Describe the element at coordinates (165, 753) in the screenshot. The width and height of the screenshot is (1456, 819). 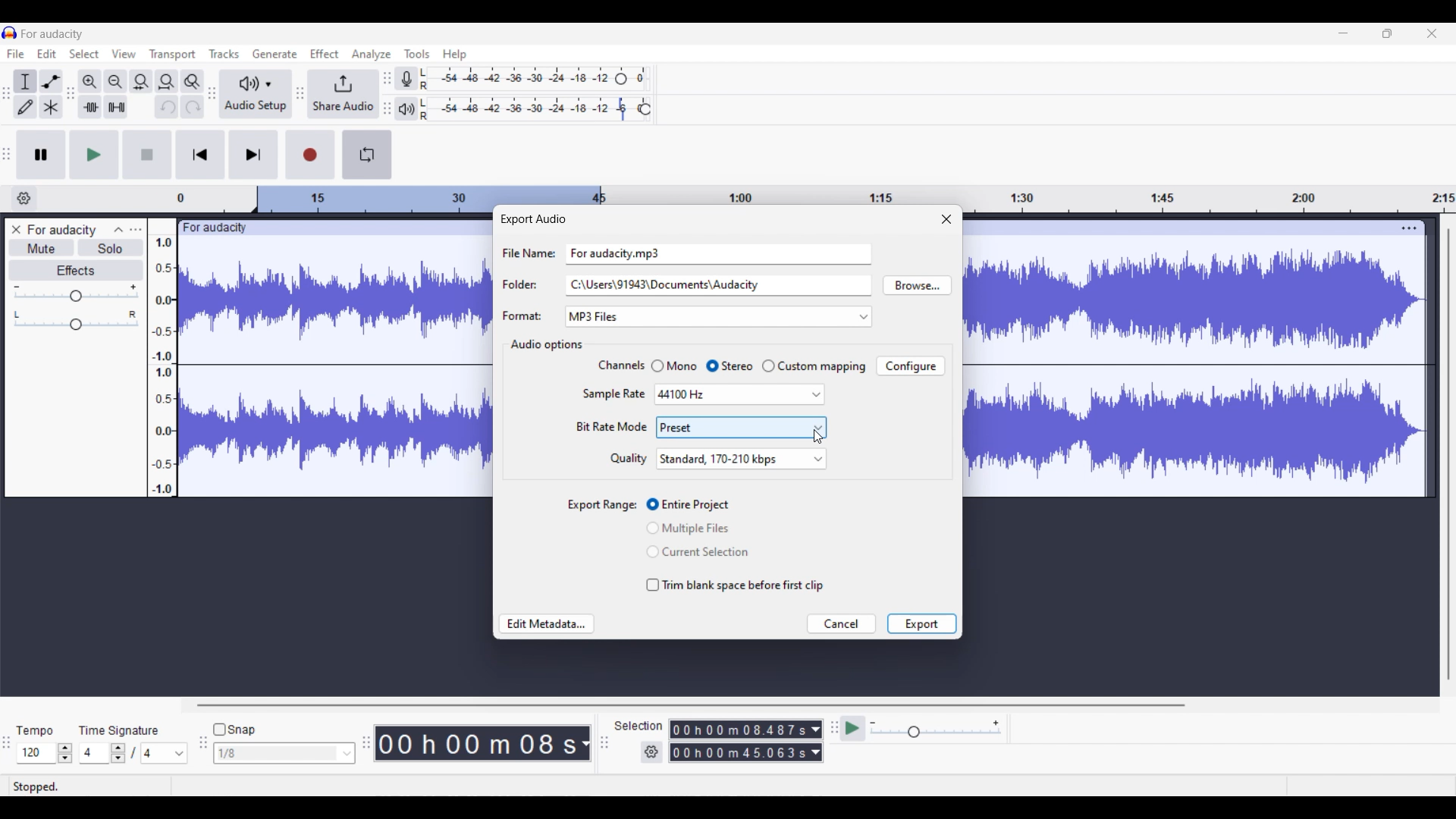
I see `Max. time signature options` at that location.